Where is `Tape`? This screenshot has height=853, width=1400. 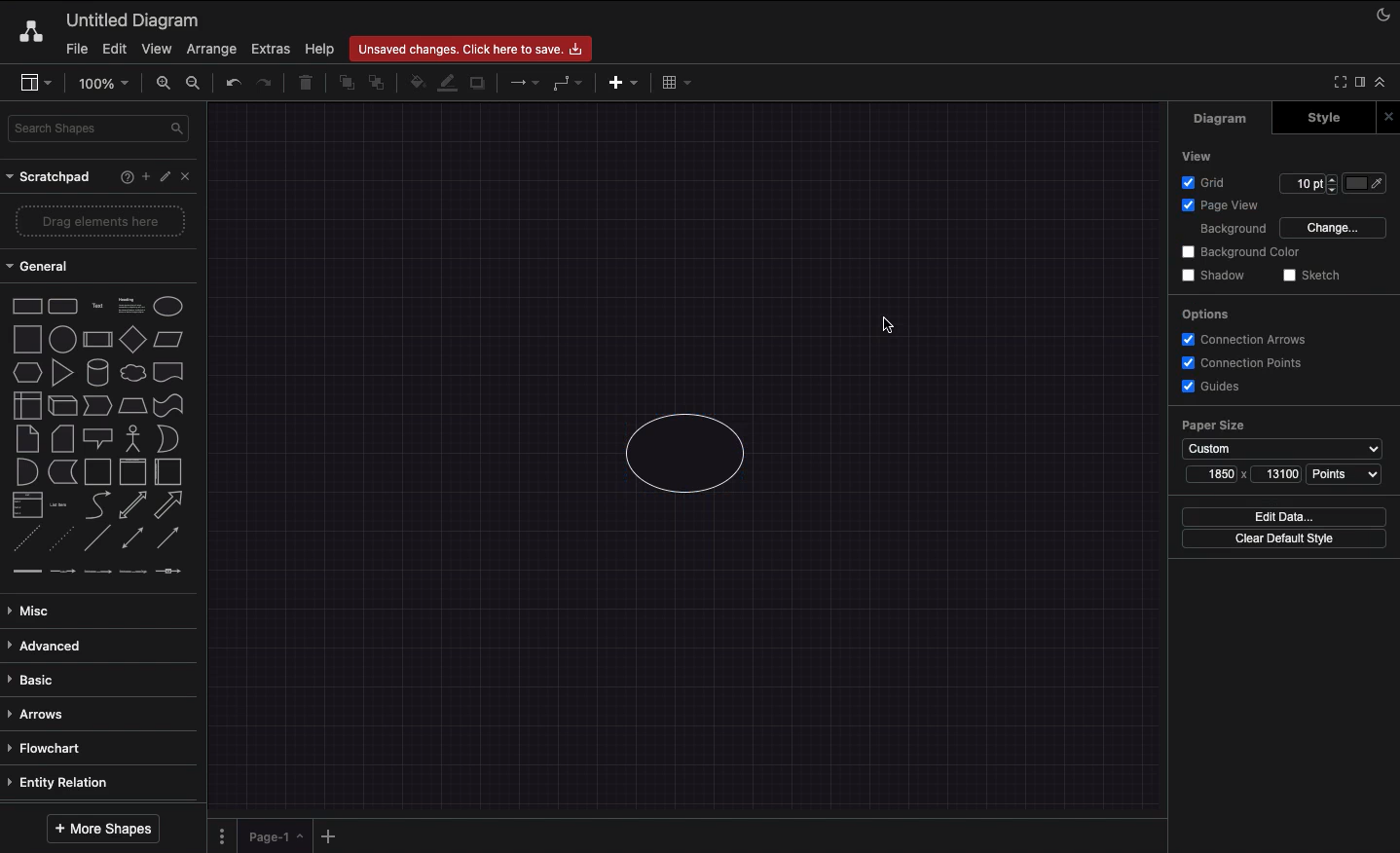
Tape is located at coordinates (171, 404).